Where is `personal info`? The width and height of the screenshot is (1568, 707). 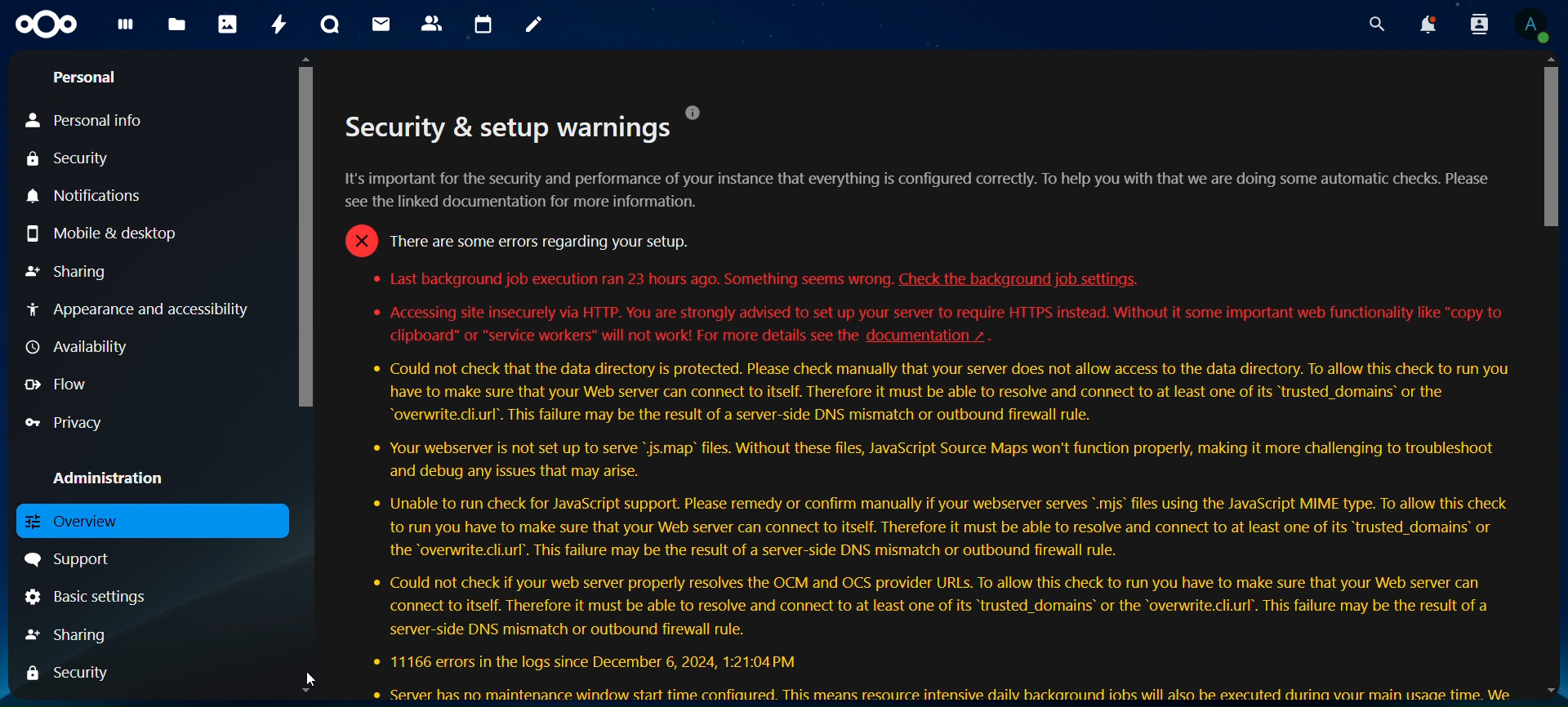 personal info is located at coordinates (119, 120).